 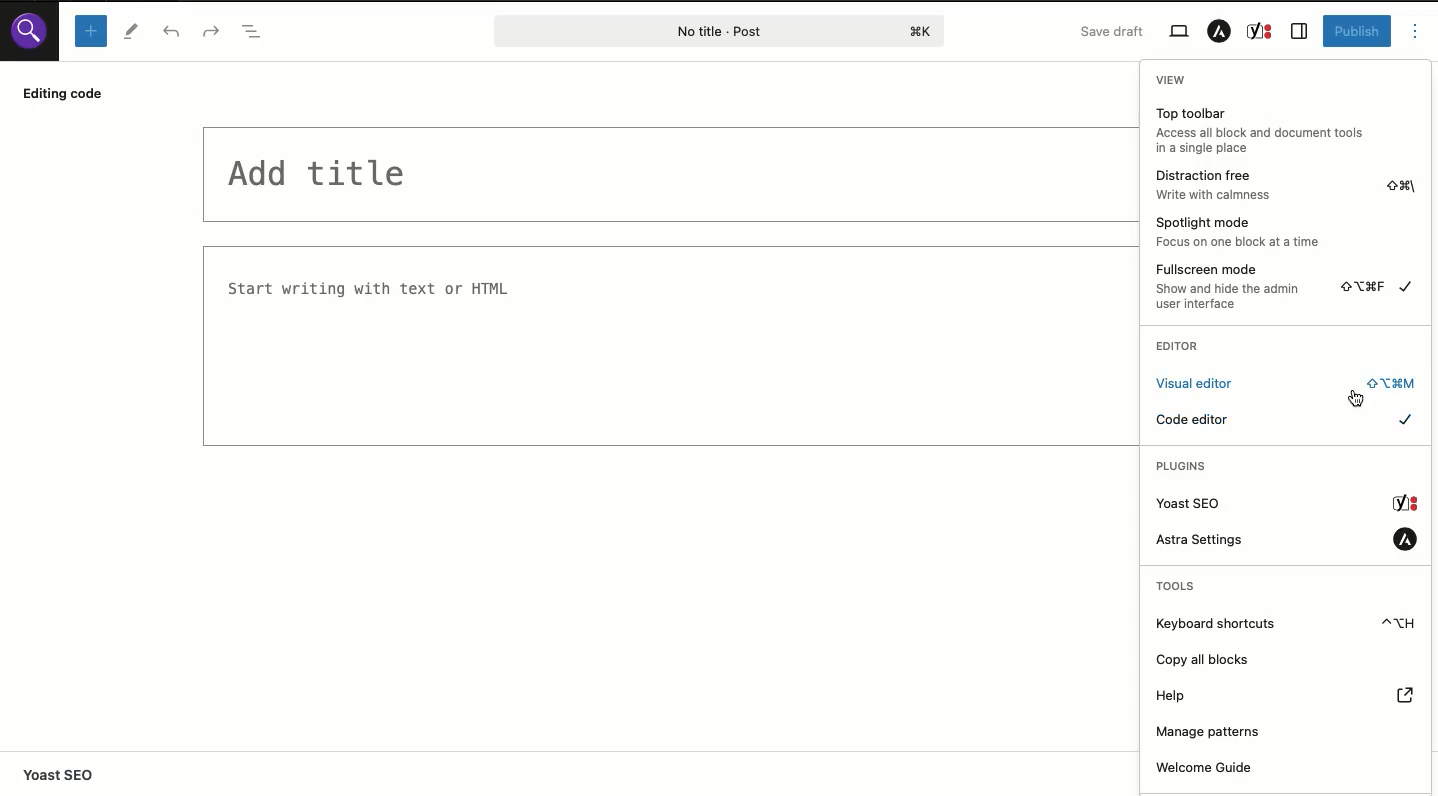 I want to click on Editor, so click(x=1177, y=346).